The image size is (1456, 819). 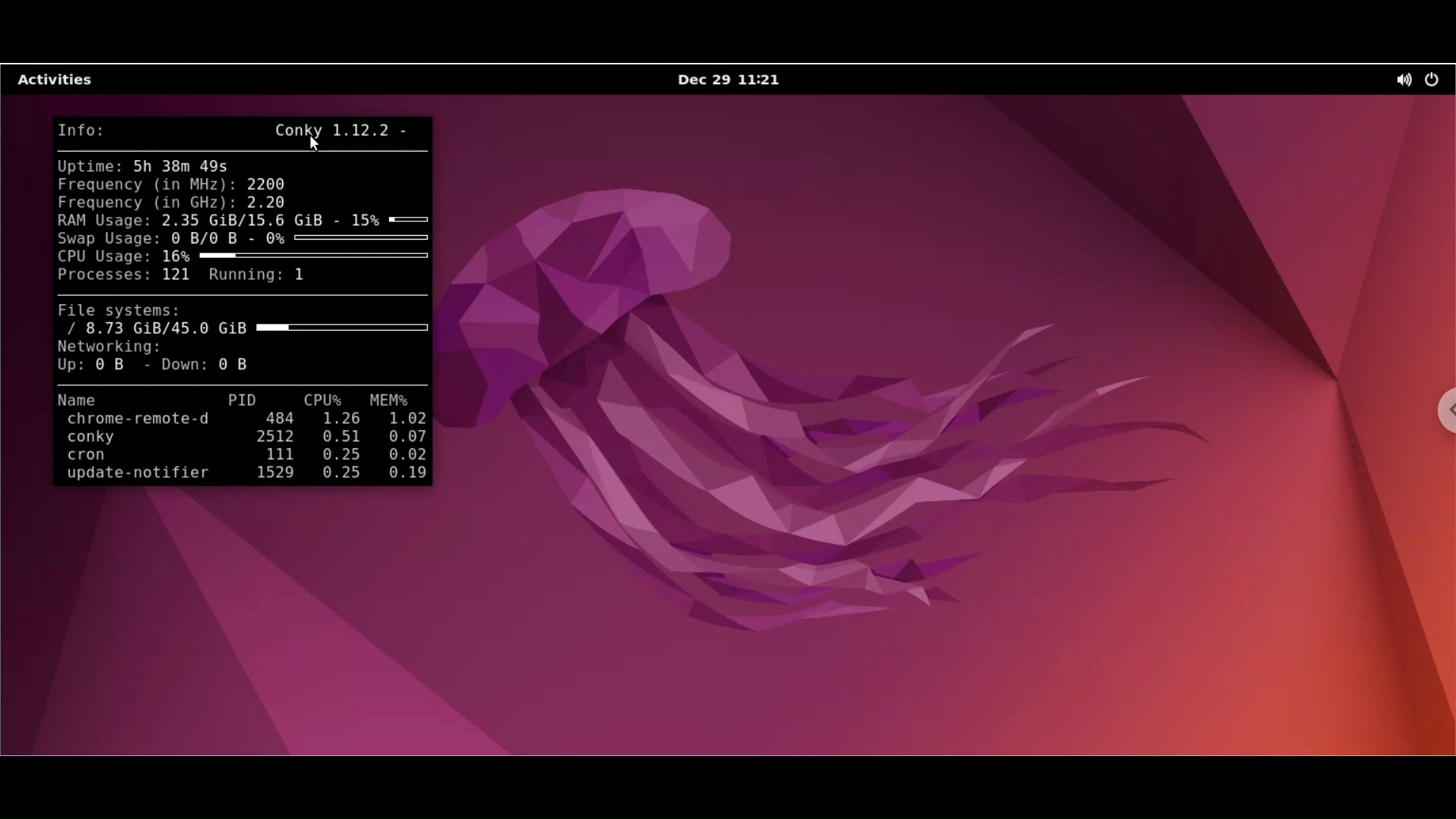 What do you see at coordinates (302, 278) in the screenshot?
I see `1` at bounding box center [302, 278].